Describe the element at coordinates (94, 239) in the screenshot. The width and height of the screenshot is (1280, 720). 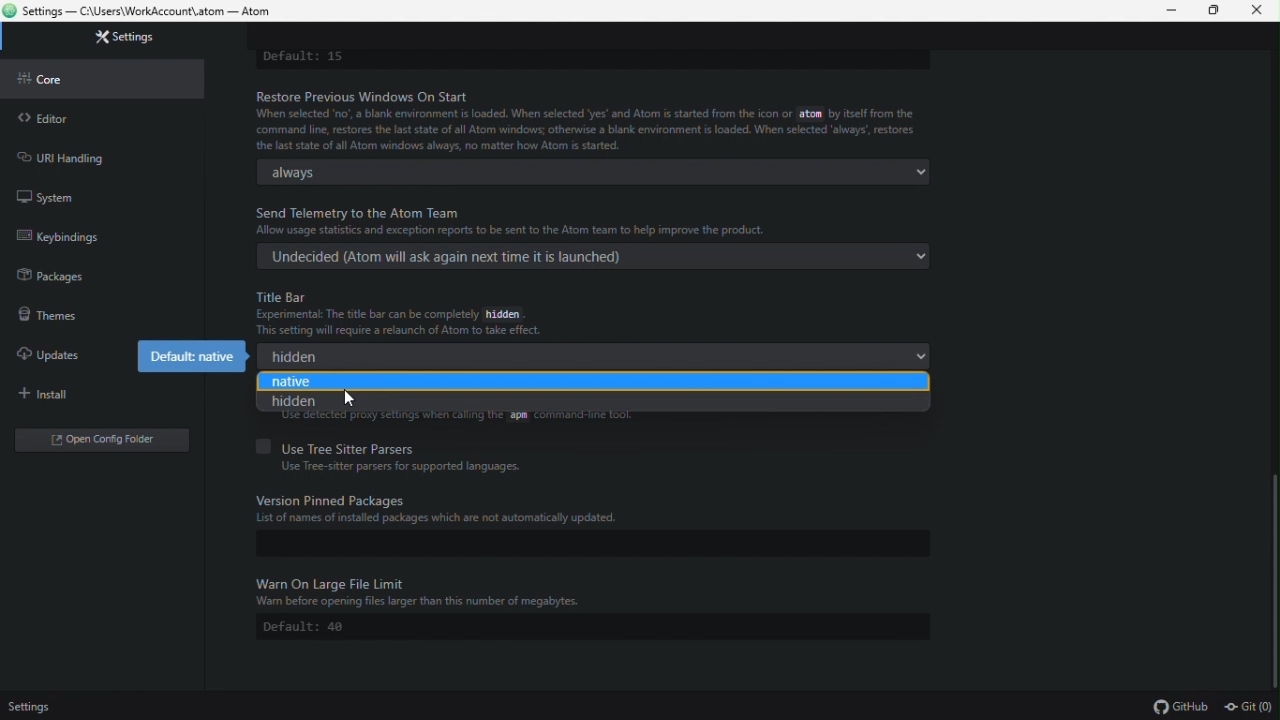
I see `key bindings` at that location.